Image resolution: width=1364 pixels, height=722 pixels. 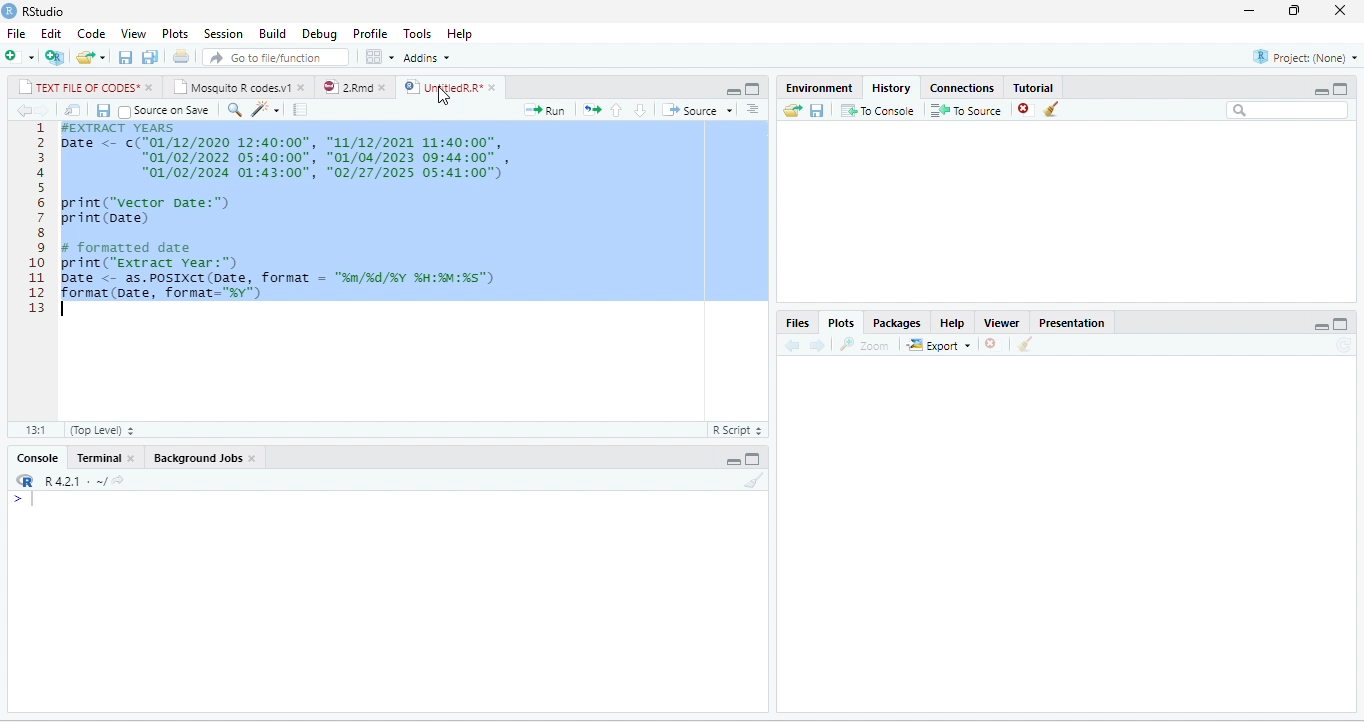 What do you see at coordinates (23, 110) in the screenshot?
I see `back` at bounding box center [23, 110].